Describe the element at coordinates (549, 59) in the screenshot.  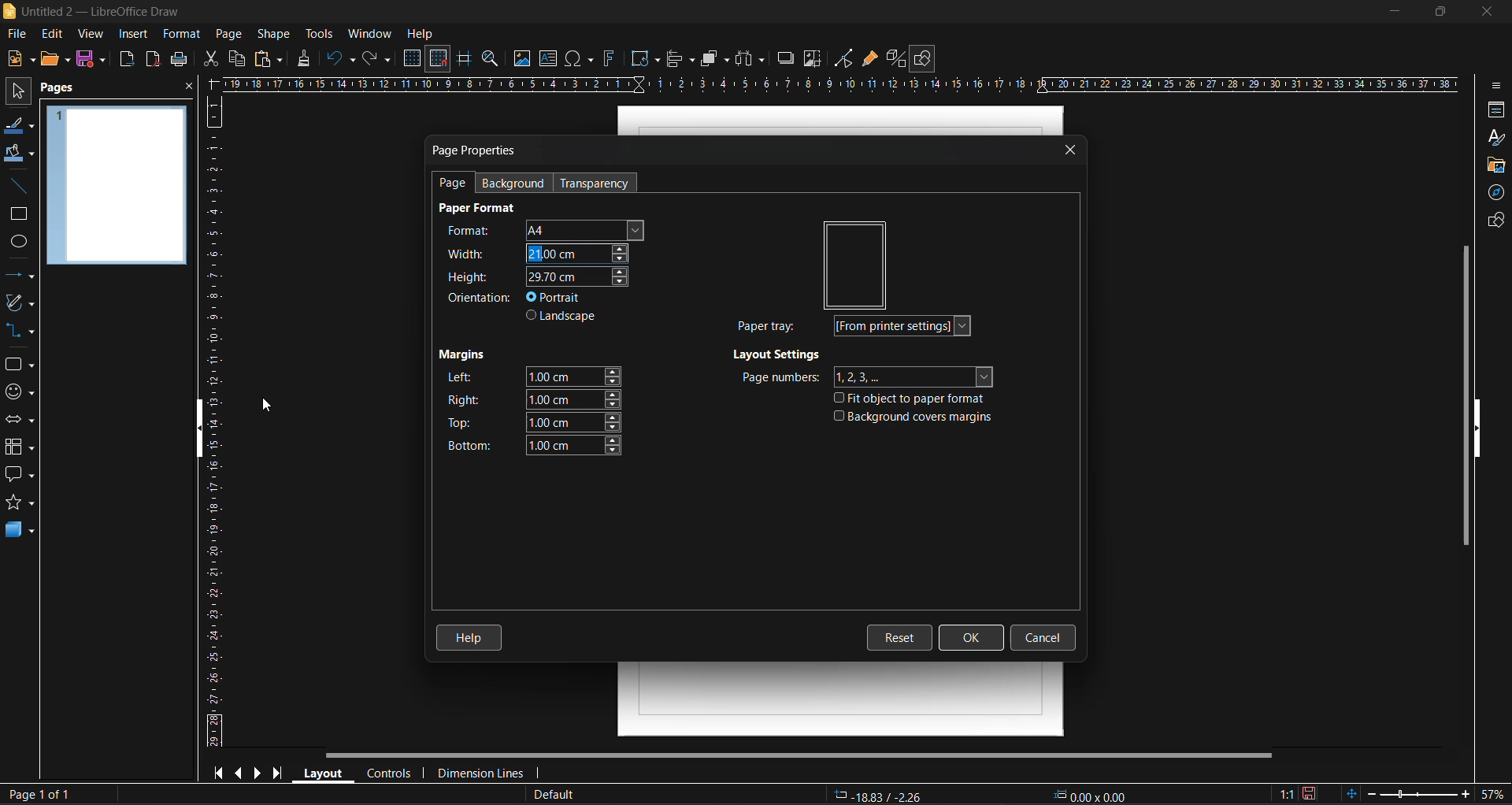
I see `textbox` at that location.